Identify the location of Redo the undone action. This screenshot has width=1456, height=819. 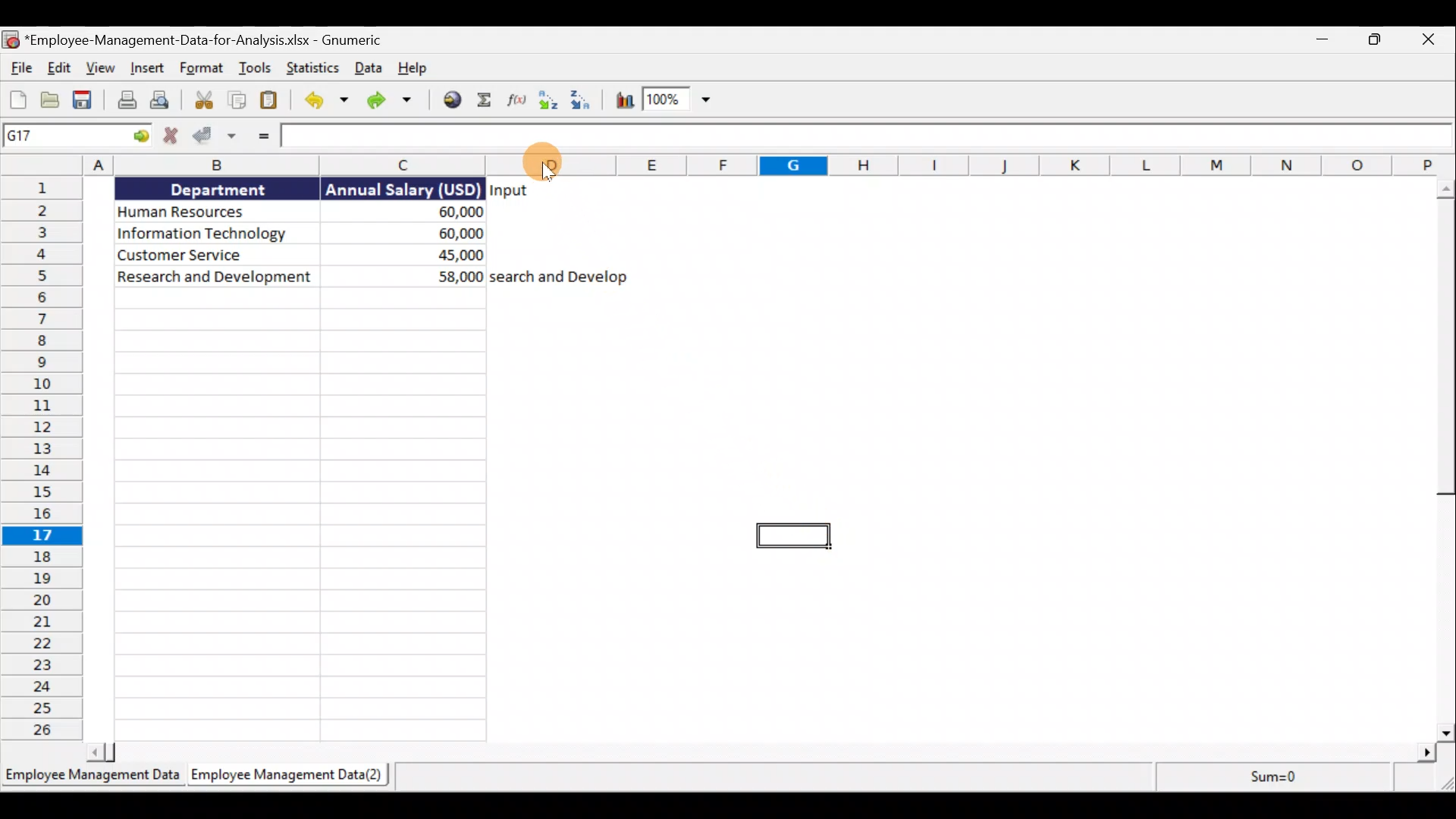
(394, 100).